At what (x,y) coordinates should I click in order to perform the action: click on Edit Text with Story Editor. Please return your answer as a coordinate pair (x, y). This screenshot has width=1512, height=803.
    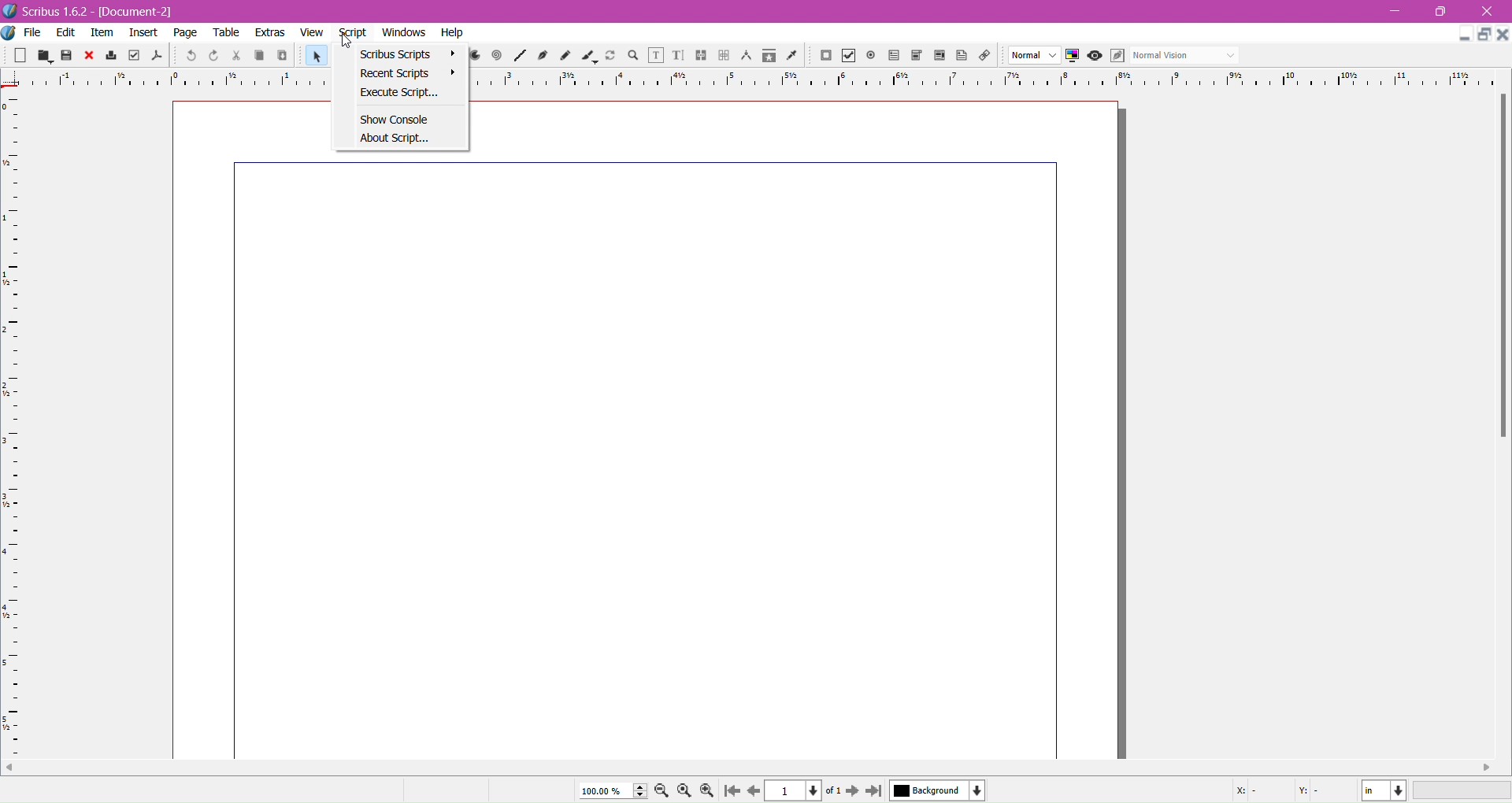
    Looking at the image, I should click on (678, 55).